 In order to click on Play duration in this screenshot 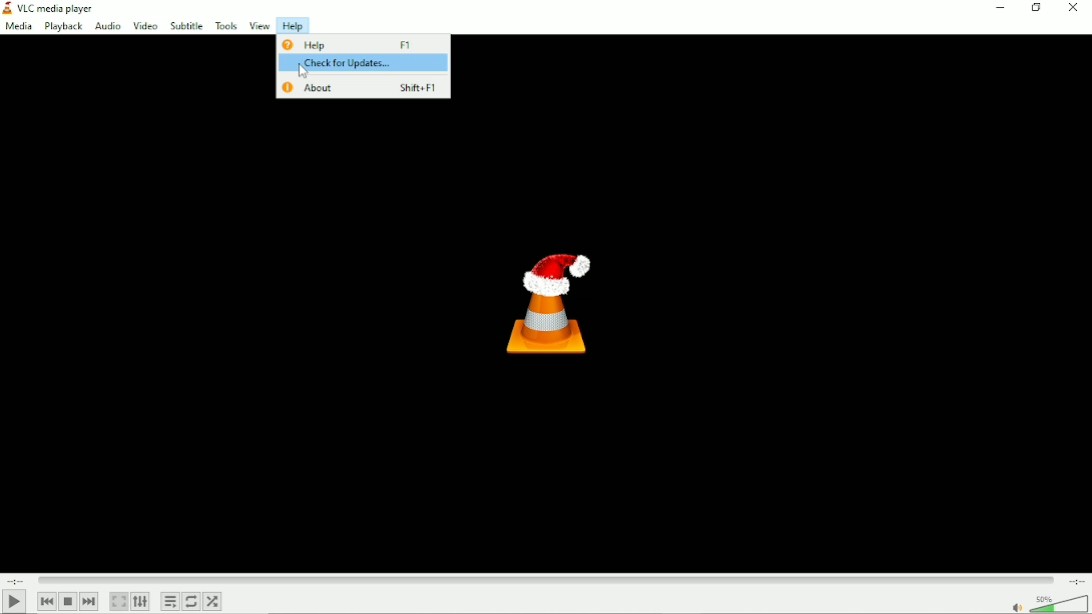, I will do `click(544, 581)`.